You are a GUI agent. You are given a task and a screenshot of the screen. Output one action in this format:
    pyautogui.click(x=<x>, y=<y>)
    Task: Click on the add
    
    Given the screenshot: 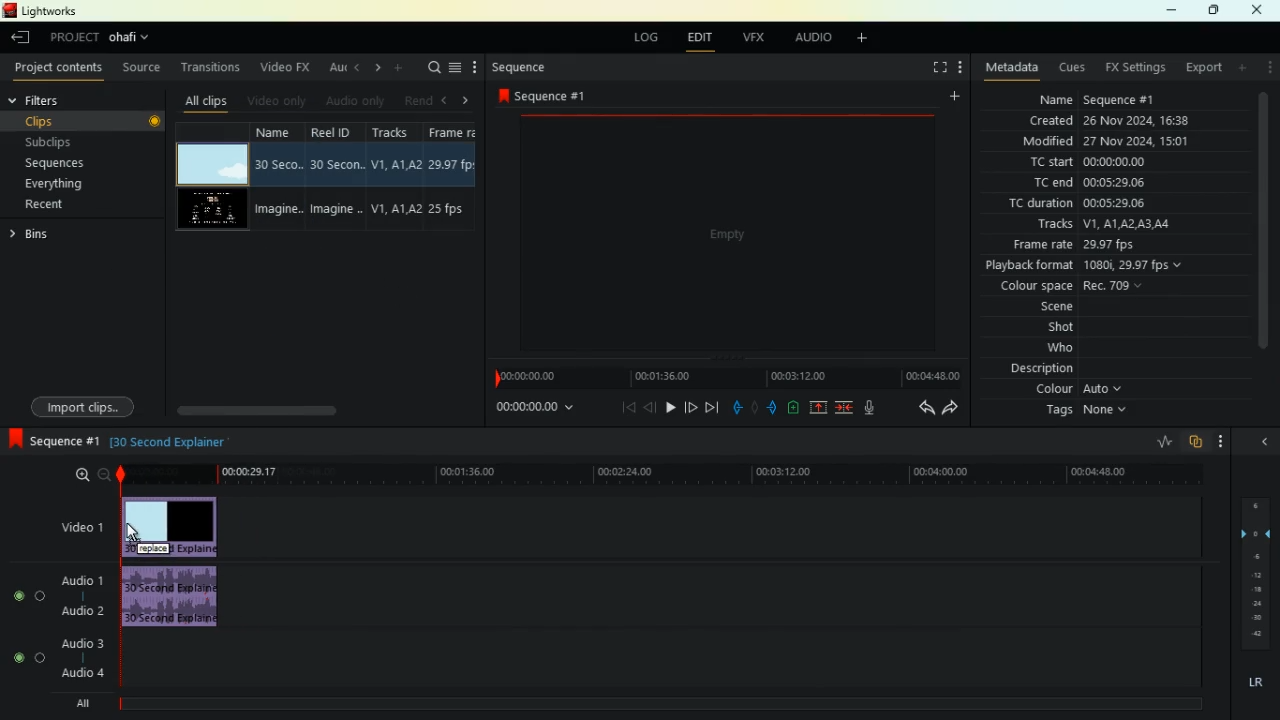 What is the action you would take?
    pyautogui.click(x=866, y=41)
    